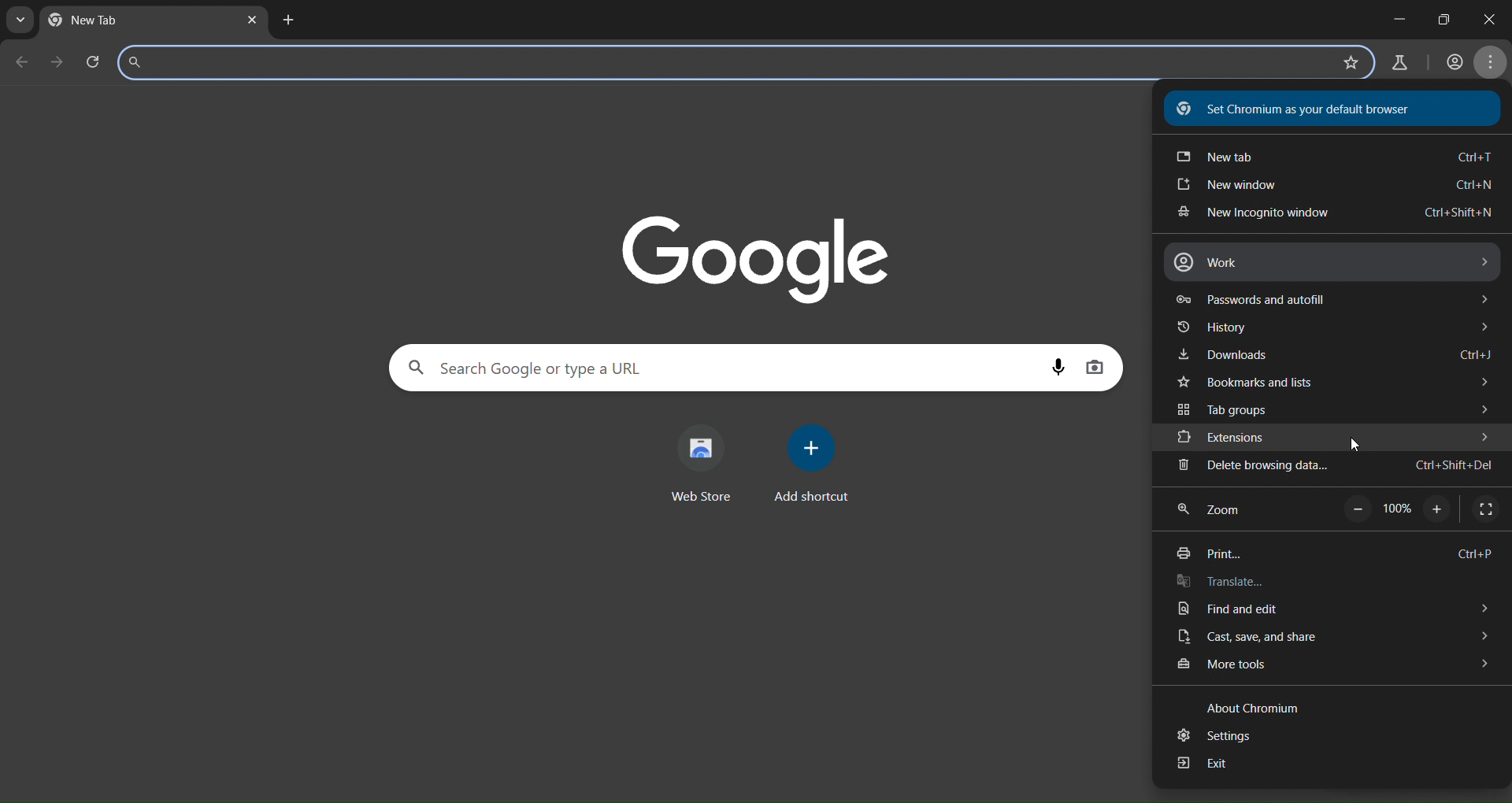 This screenshot has height=803, width=1512. I want to click on work, so click(1333, 258).